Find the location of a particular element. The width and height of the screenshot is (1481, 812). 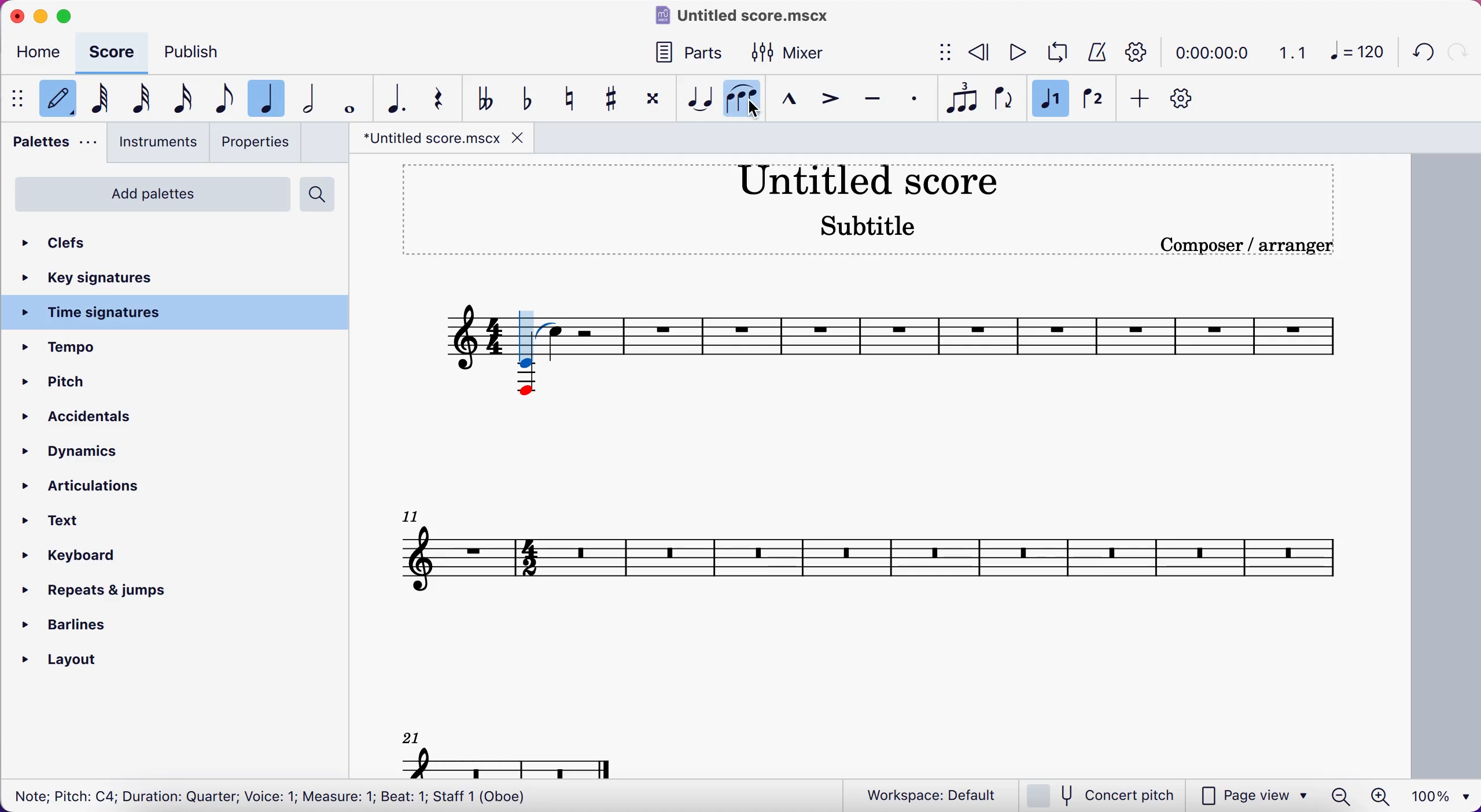

cursor is located at coordinates (529, 340).